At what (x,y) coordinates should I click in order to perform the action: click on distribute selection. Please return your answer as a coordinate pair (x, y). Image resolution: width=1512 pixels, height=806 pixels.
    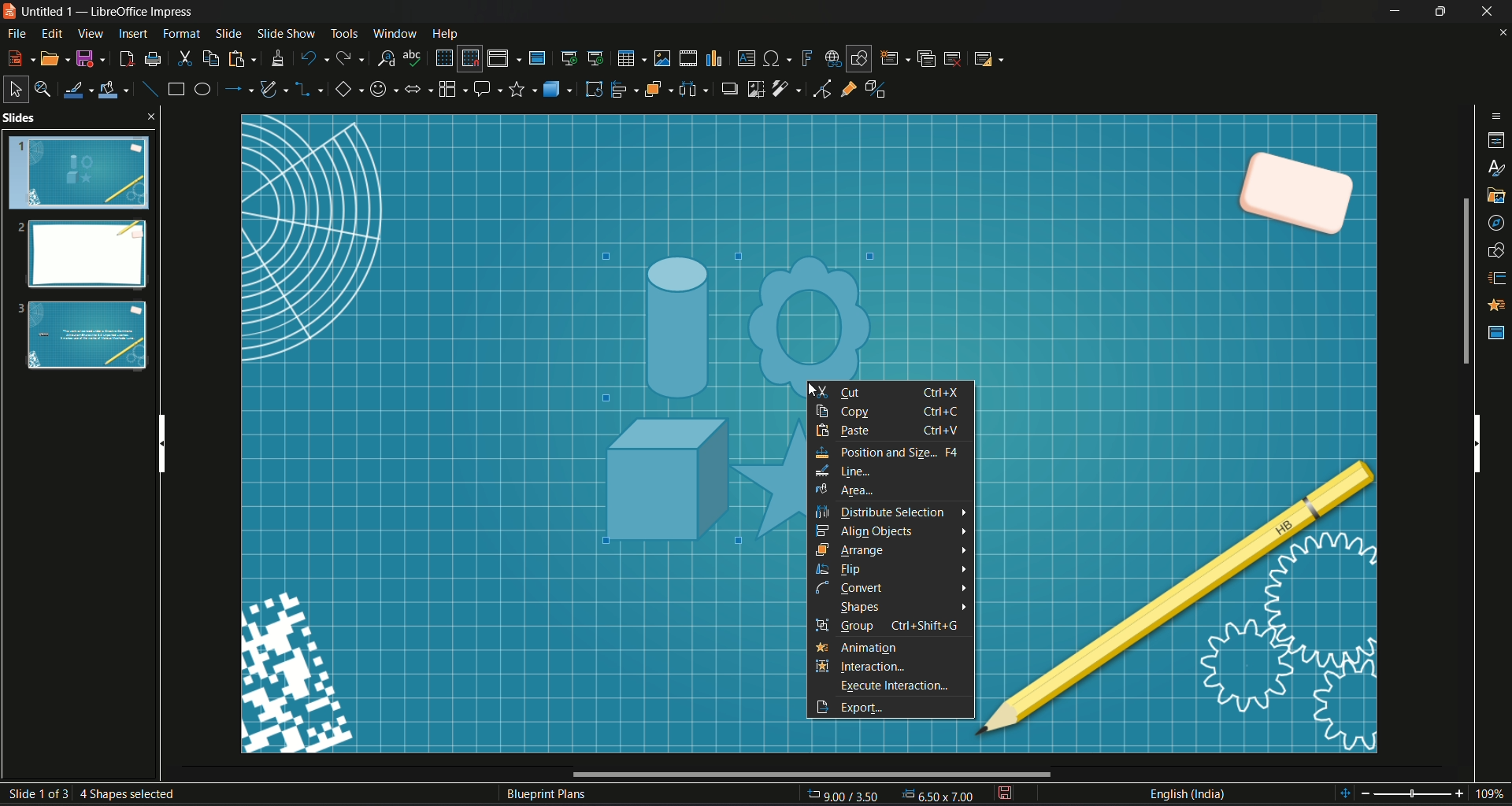
    Looking at the image, I should click on (882, 513).